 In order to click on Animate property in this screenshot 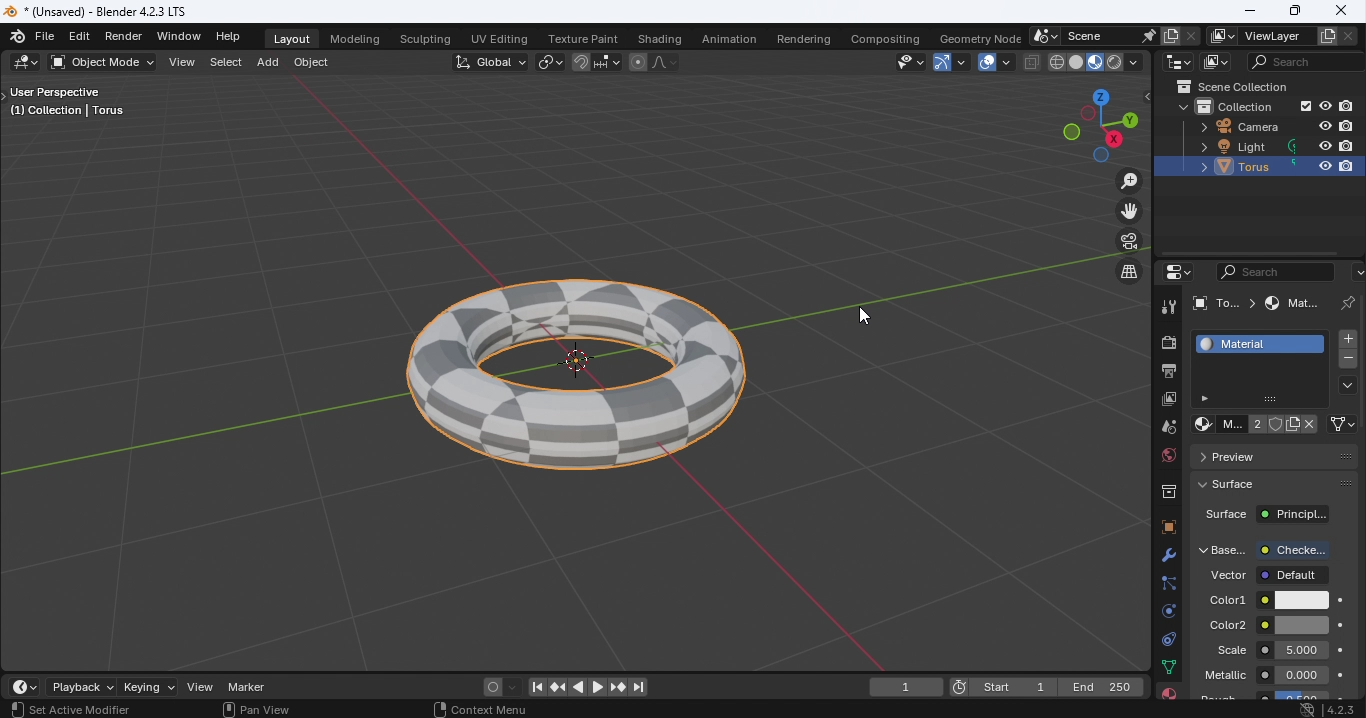, I will do `click(1342, 677)`.